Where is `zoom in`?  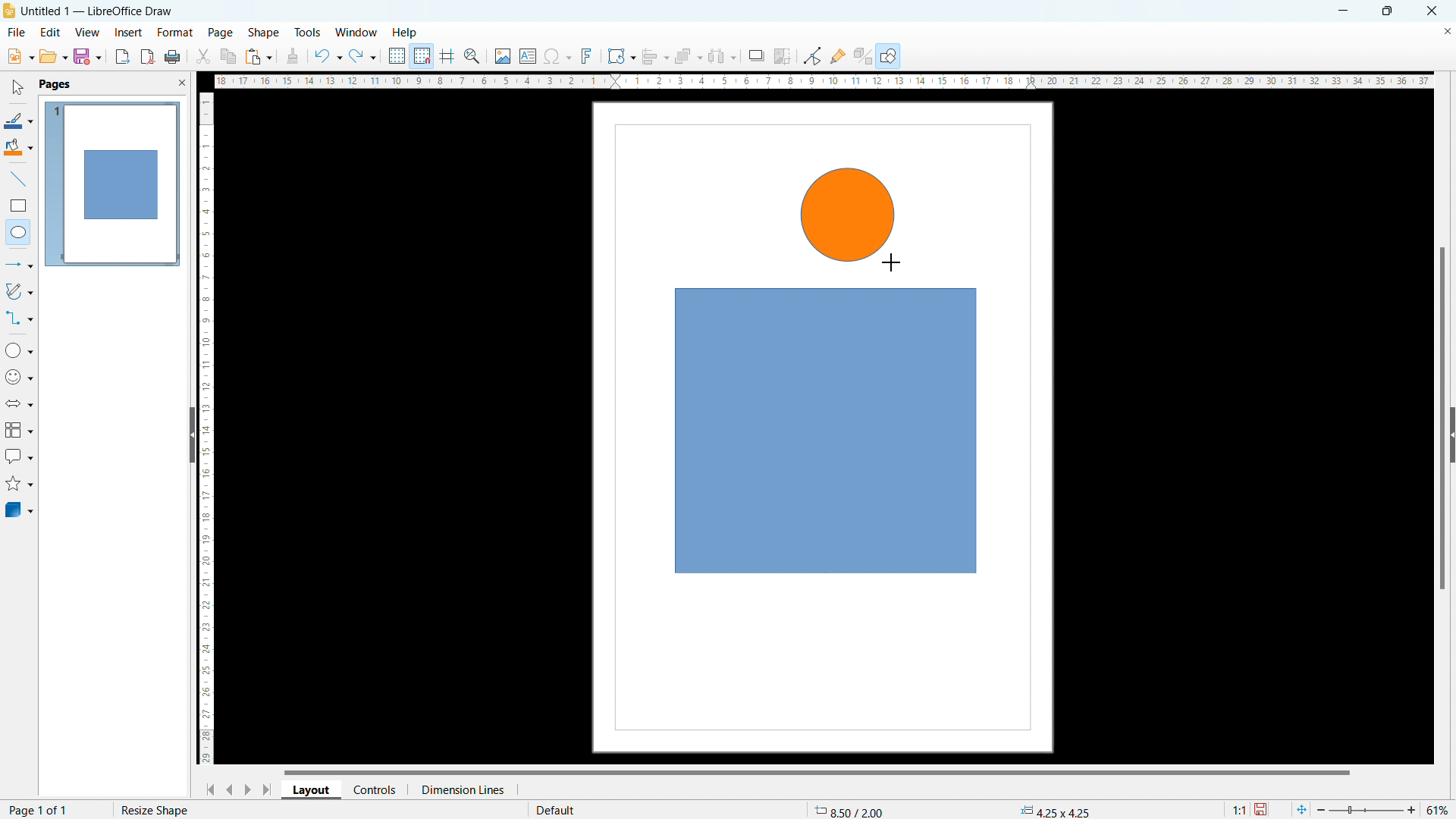 zoom in is located at coordinates (1412, 808).